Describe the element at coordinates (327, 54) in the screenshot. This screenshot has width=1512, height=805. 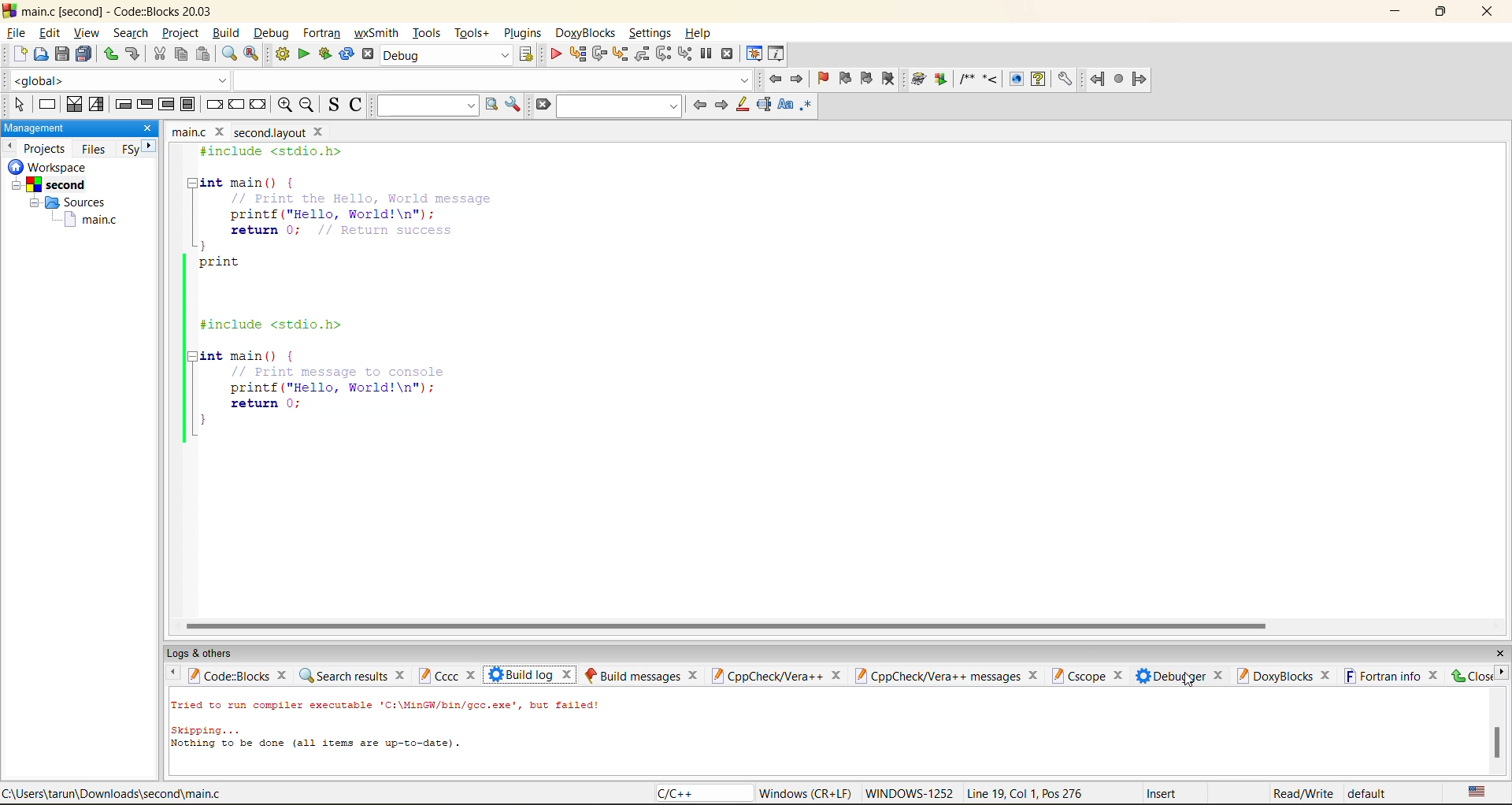
I see `build and run` at that location.